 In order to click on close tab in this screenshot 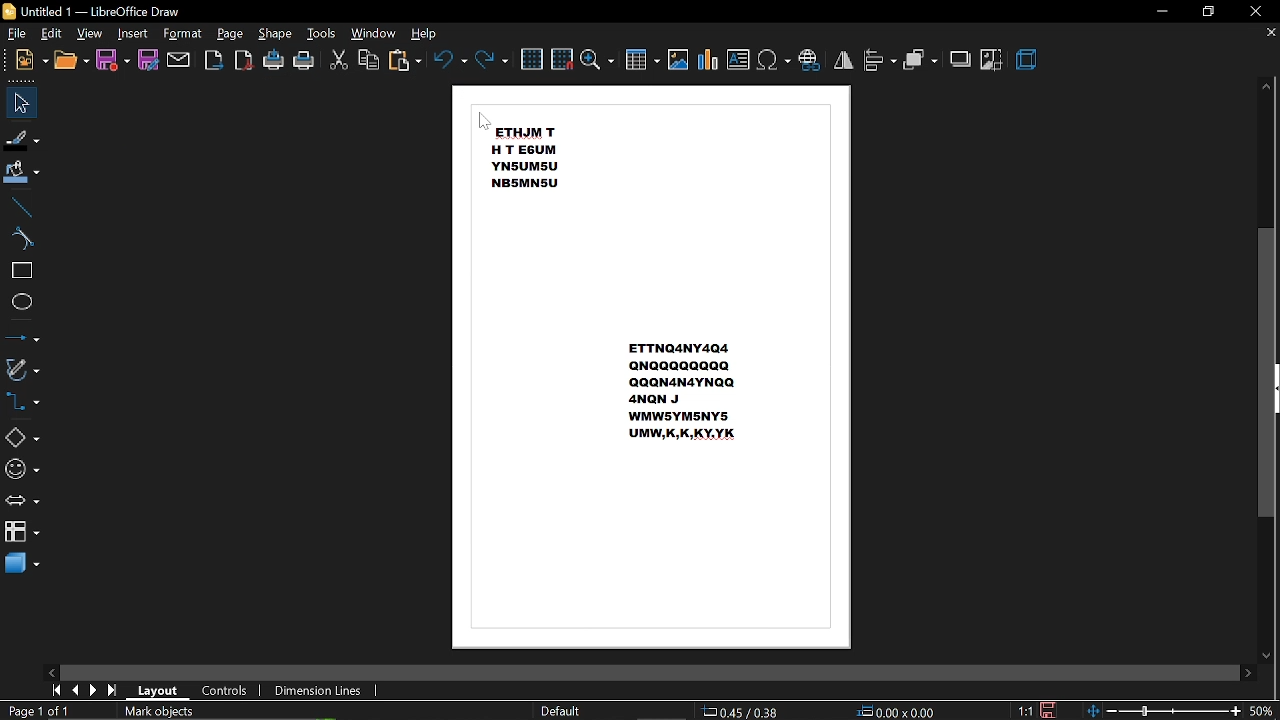, I will do `click(1270, 33)`.